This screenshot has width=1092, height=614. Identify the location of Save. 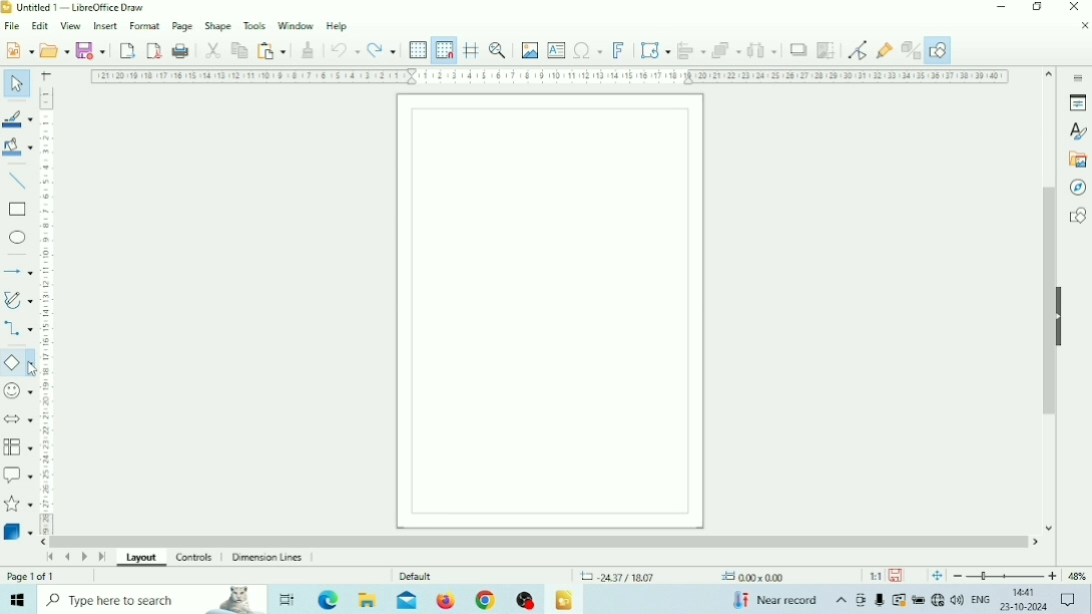
(91, 49).